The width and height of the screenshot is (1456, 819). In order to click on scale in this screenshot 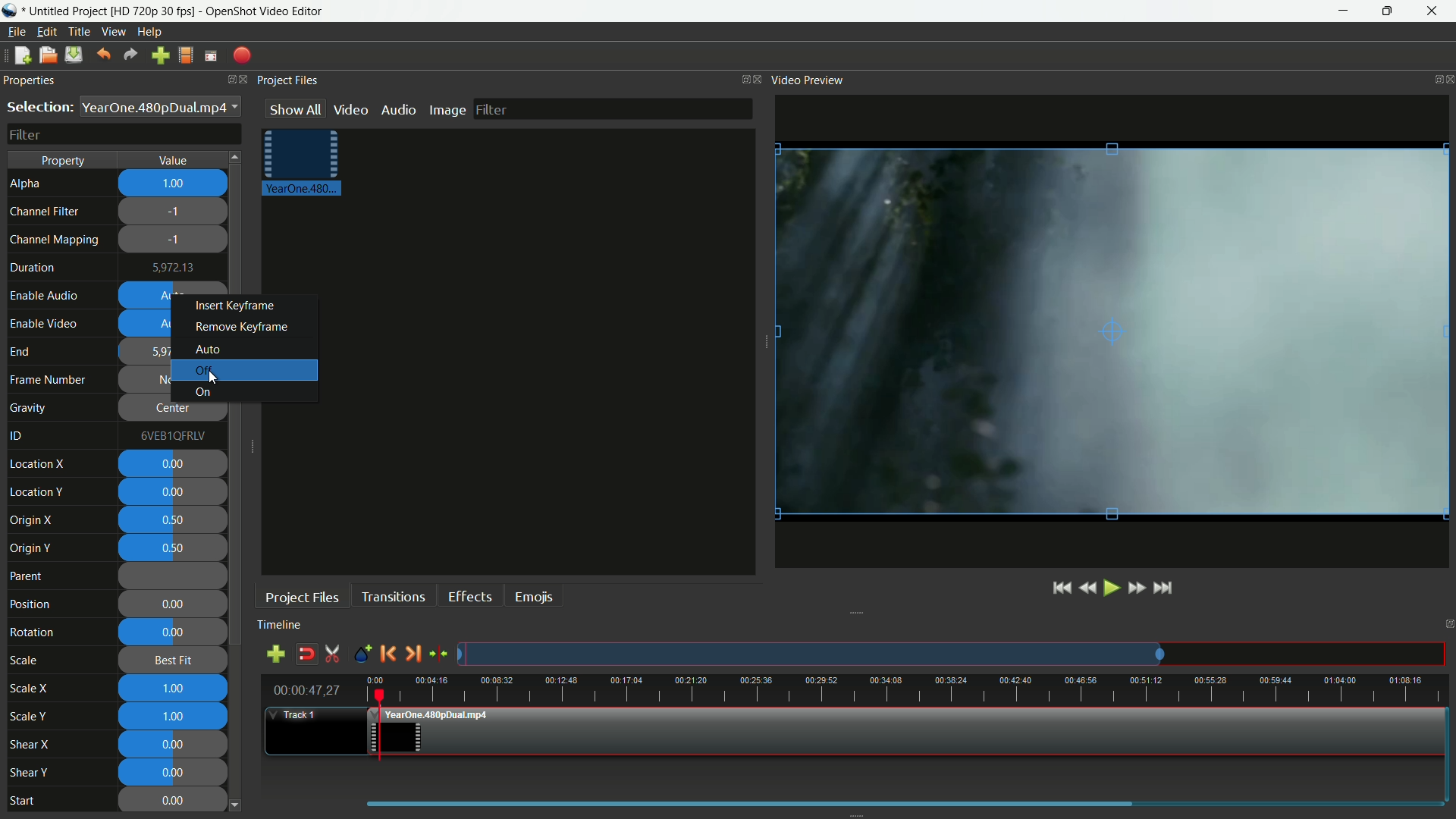, I will do `click(25, 661)`.